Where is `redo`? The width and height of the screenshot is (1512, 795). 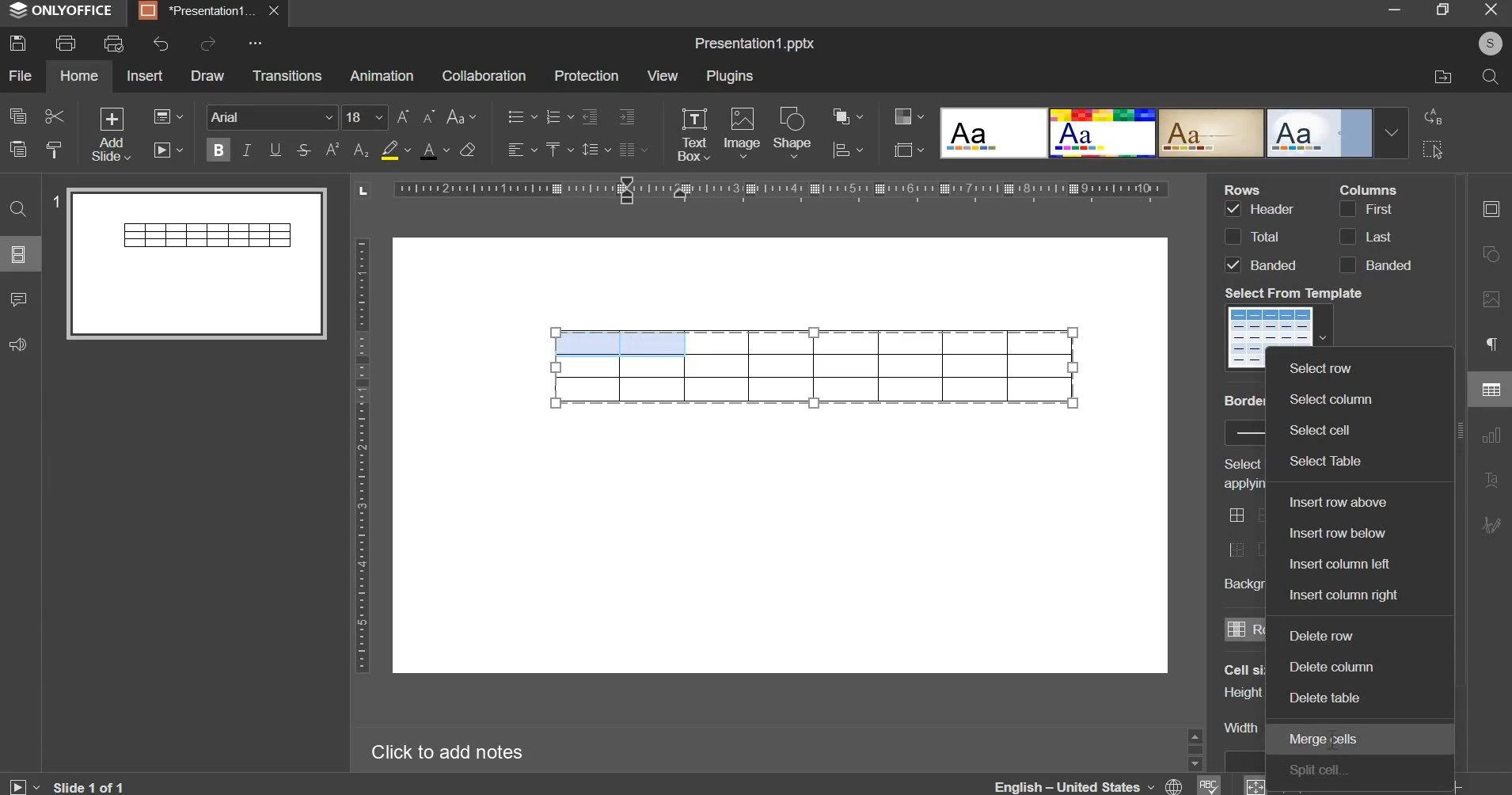
redo is located at coordinates (207, 44).